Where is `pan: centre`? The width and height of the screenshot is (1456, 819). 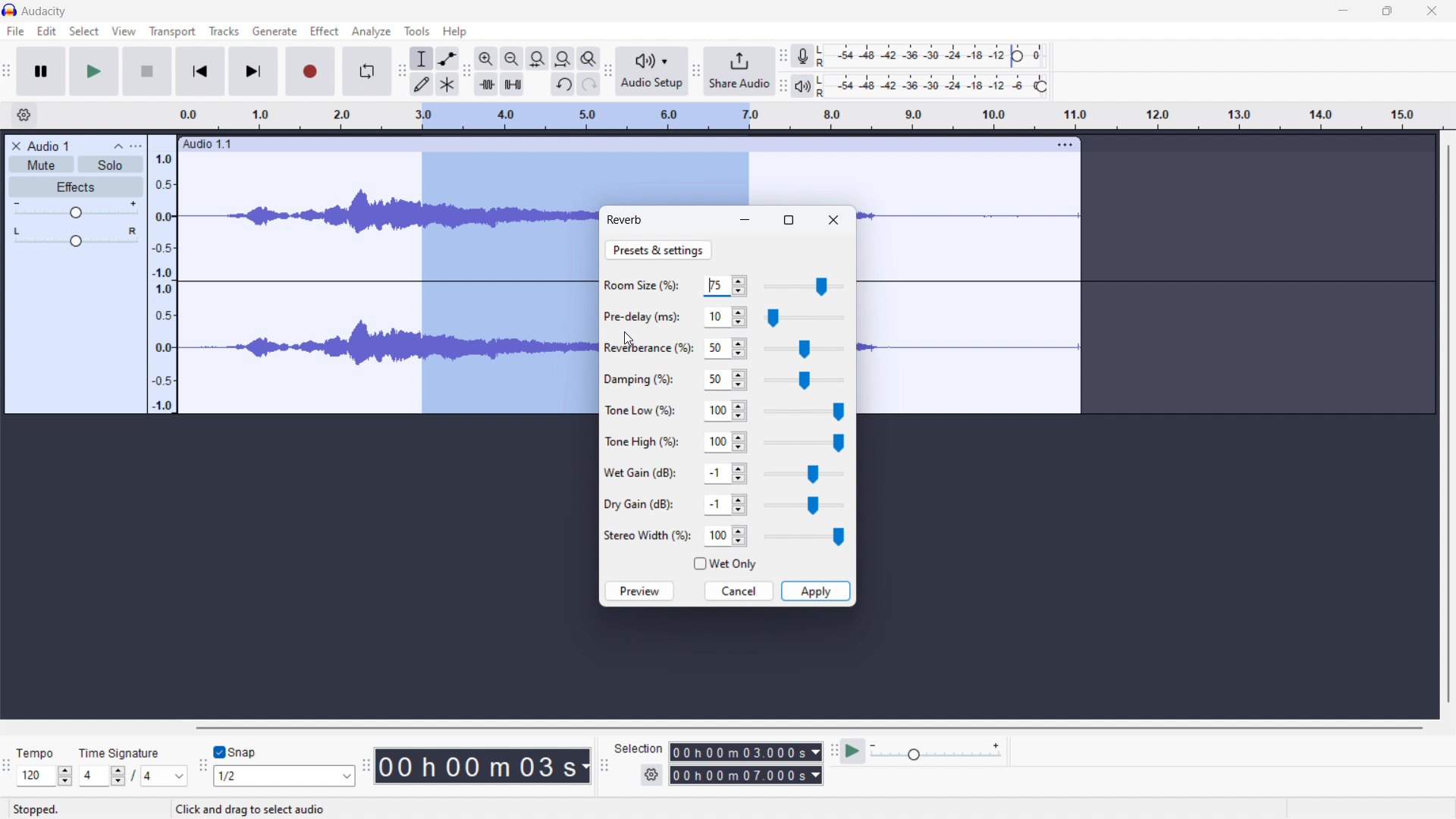 pan: centre is located at coordinates (76, 240).